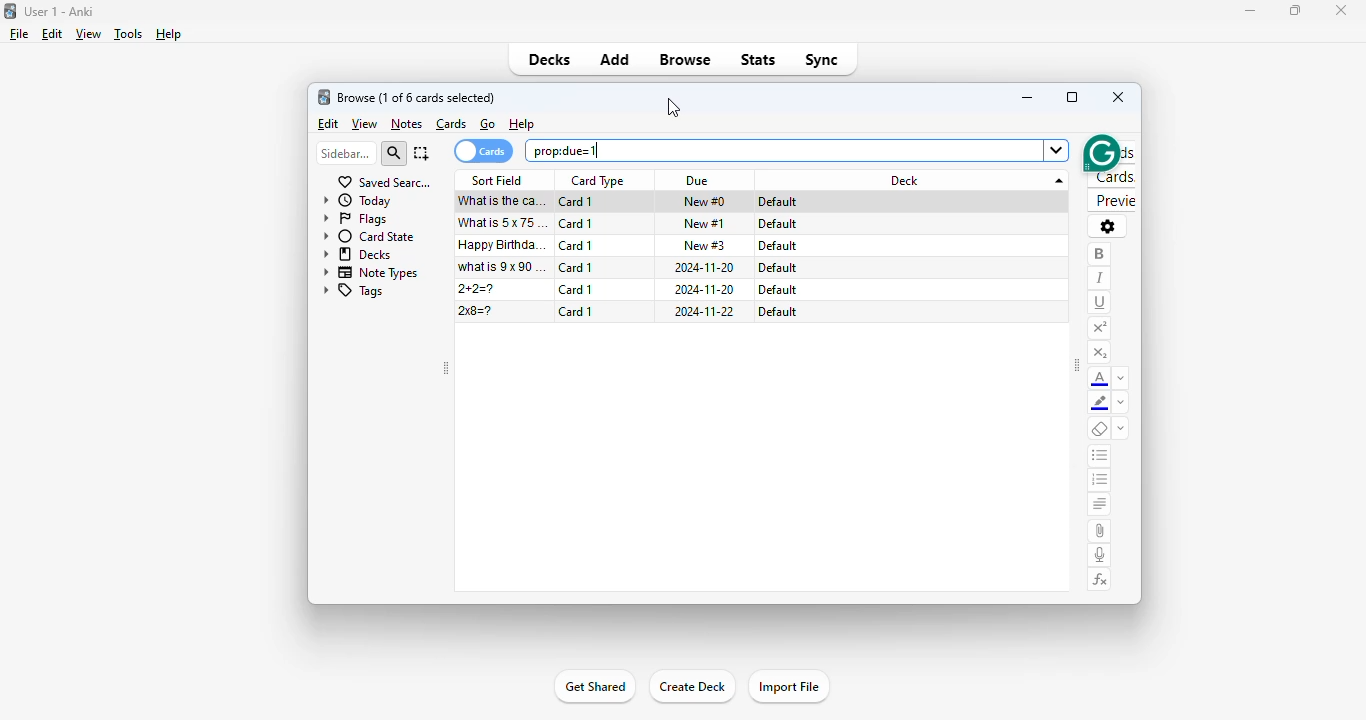 The height and width of the screenshot is (720, 1366). Describe the element at coordinates (1100, 329) in the screenshot. I see `superscript` at that location.